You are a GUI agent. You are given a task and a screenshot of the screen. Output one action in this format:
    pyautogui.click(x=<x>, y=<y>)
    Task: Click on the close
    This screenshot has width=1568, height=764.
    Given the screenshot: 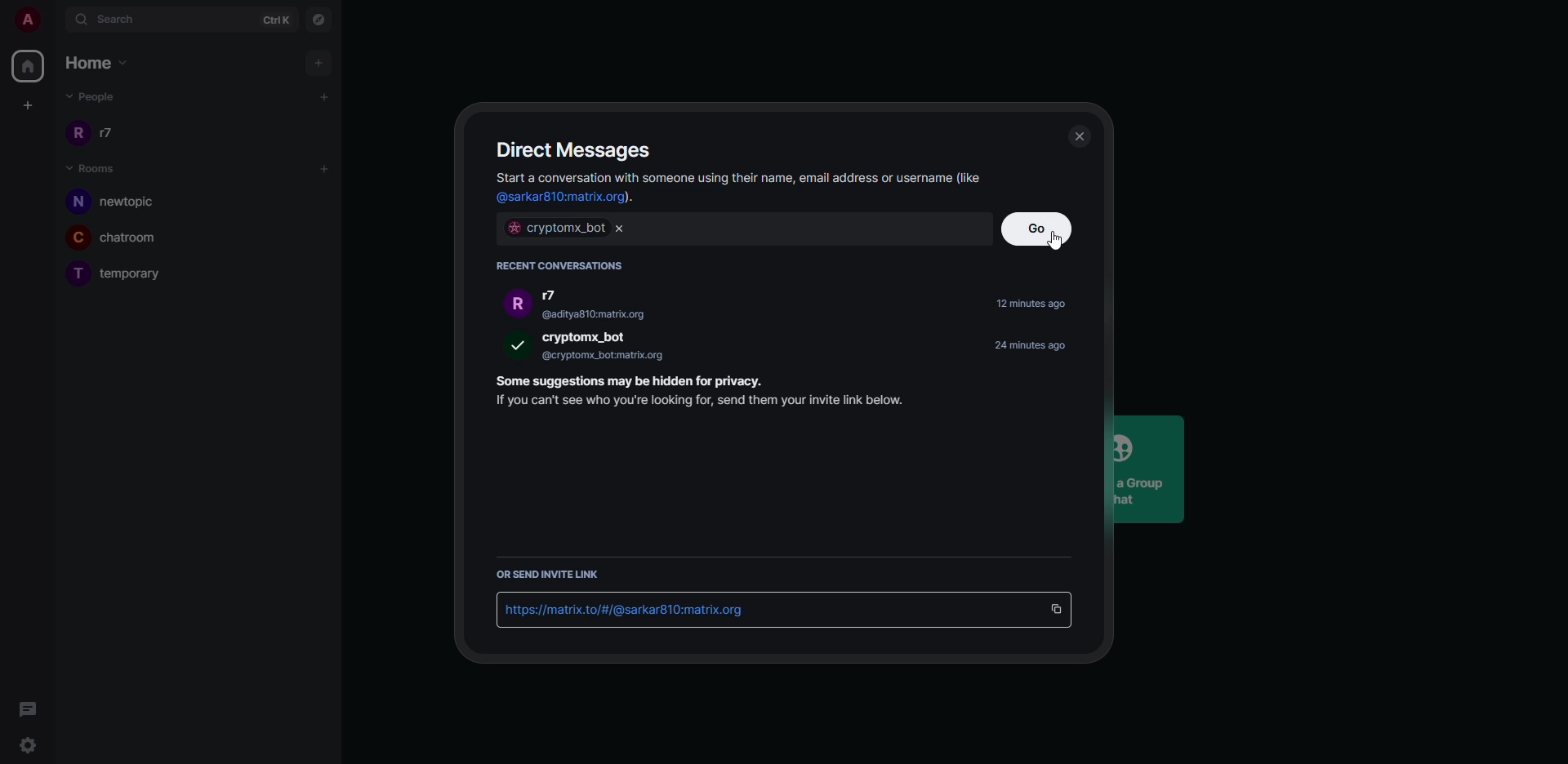 What is the action you would take?
    pyautogui.click(x=1079, y=135)
    